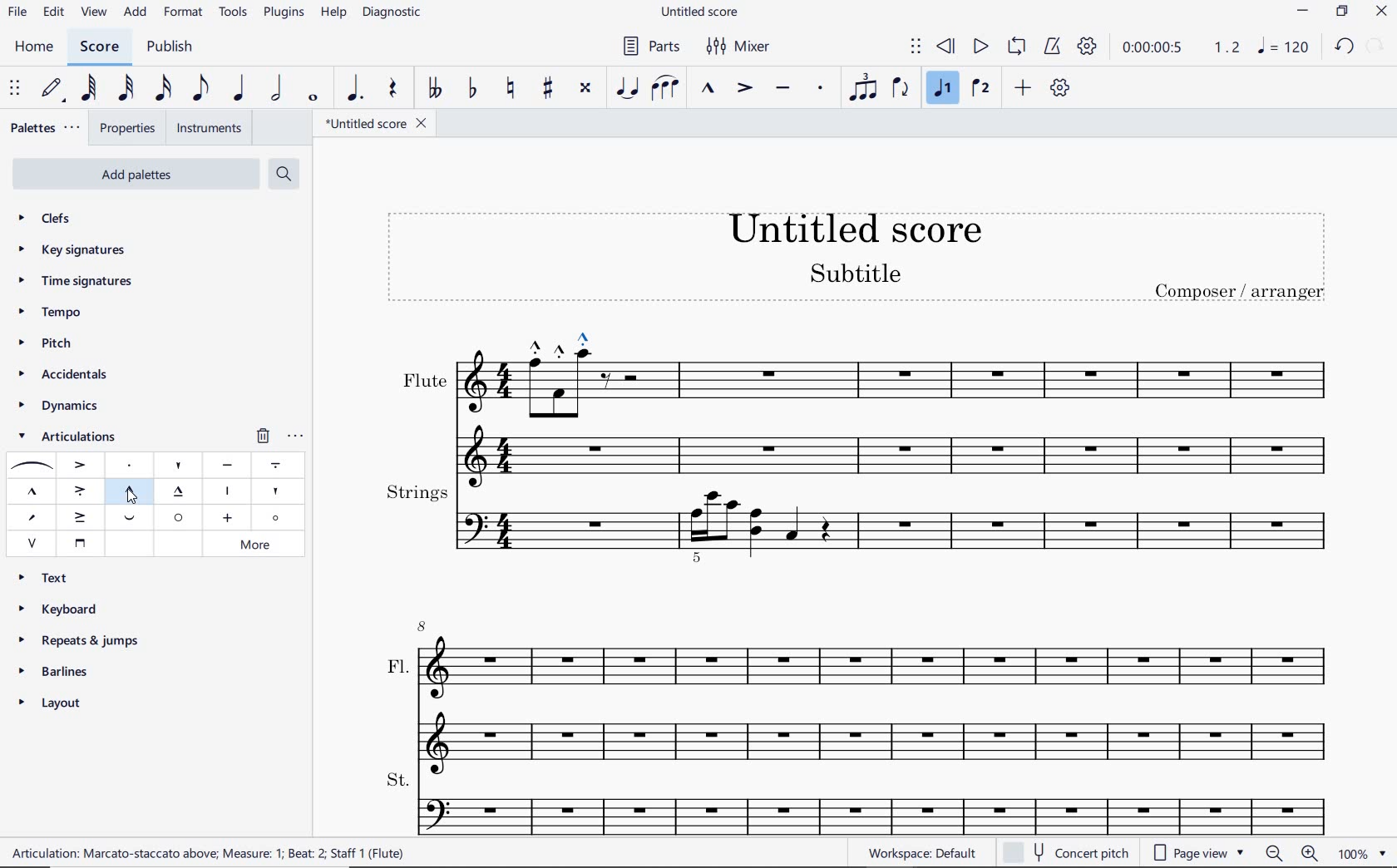  What do you see at coordinates (1282, 47) in the screenshot?
I see `note` at bounding box center [1282, 47].